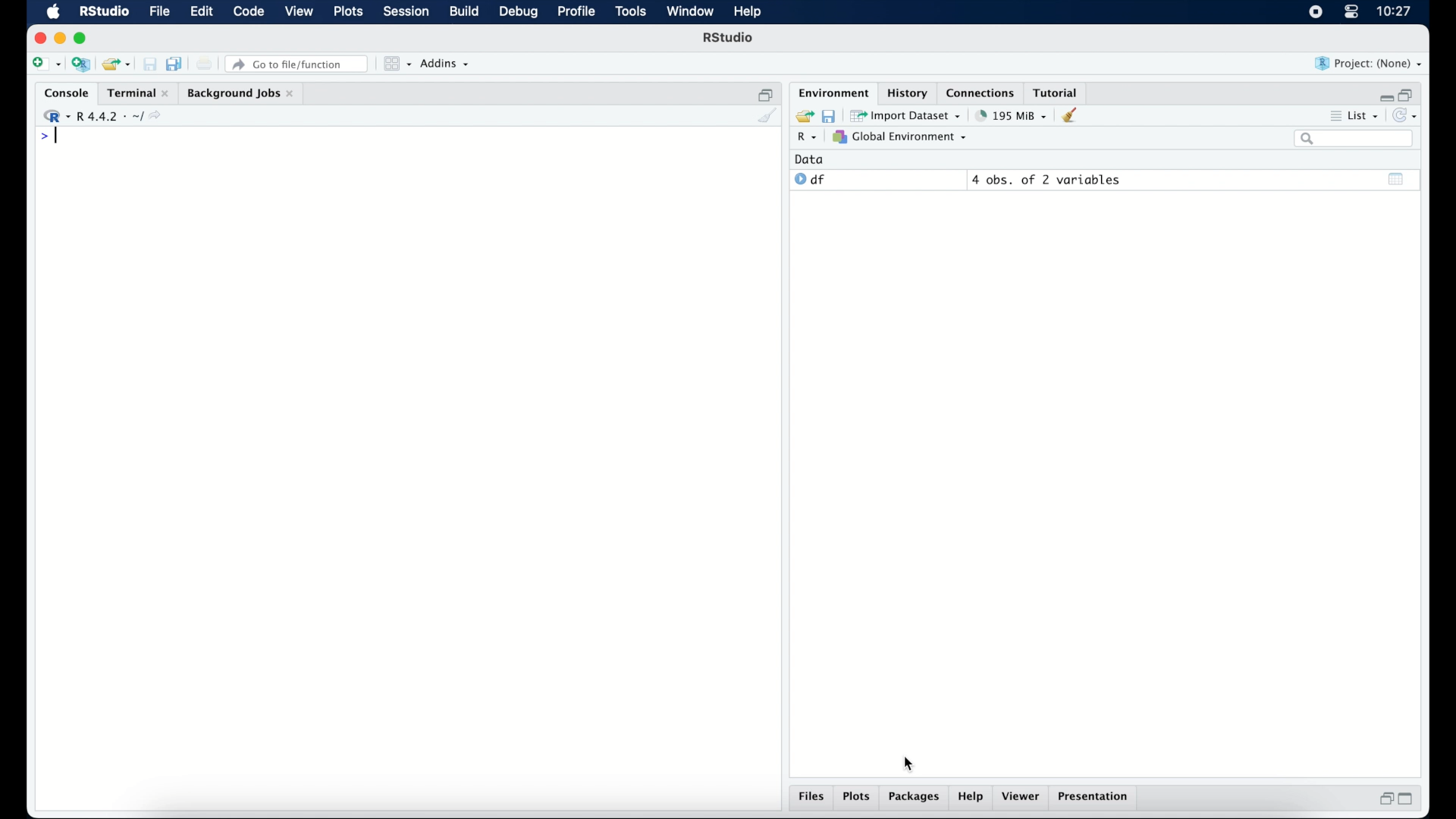  Describe the element at coordinates (300, 13) in the screenshot. I see `view` at that location.